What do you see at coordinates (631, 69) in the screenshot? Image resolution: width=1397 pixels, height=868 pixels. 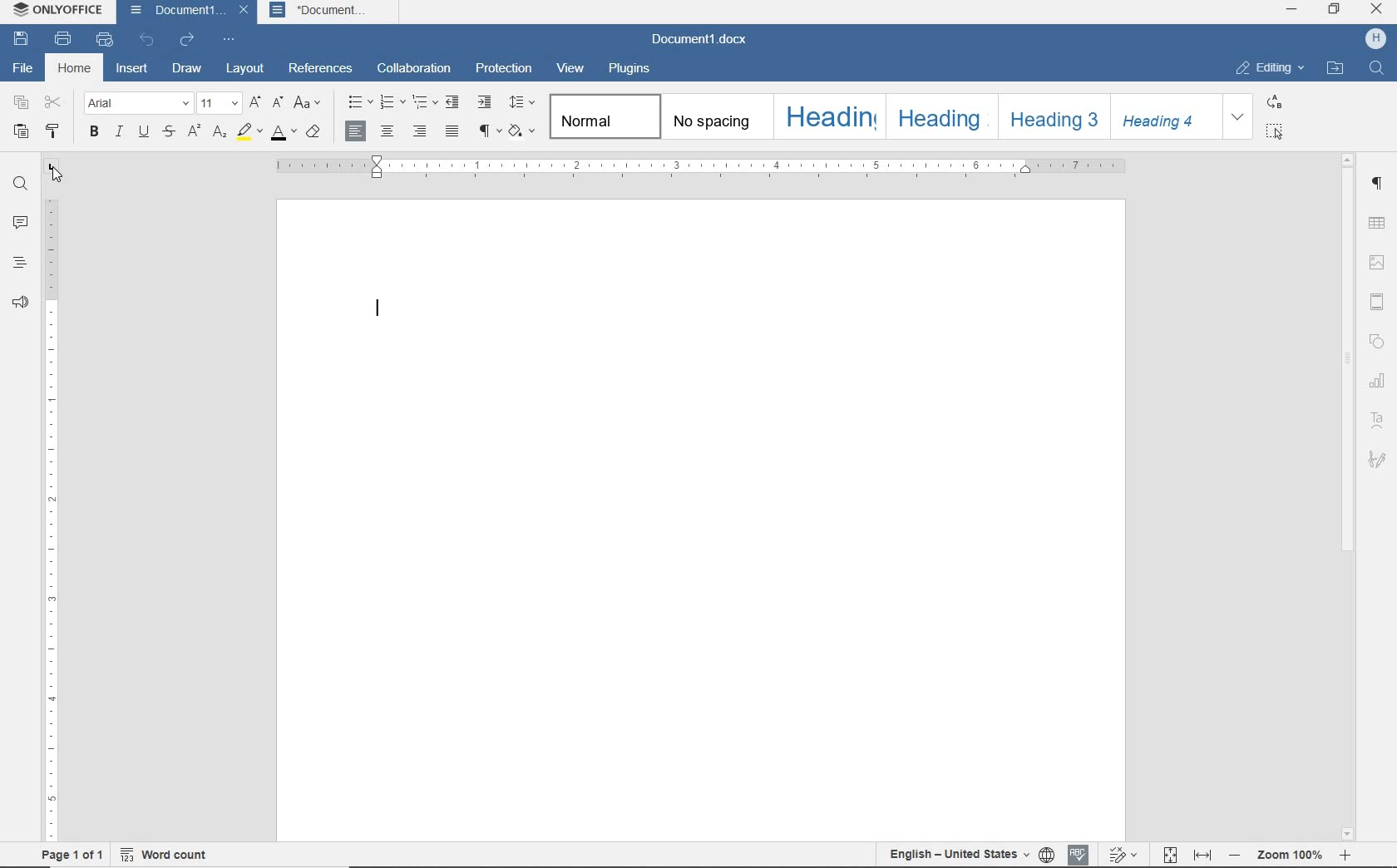 I see `PLUGINS` at bounding box center [631, 69].